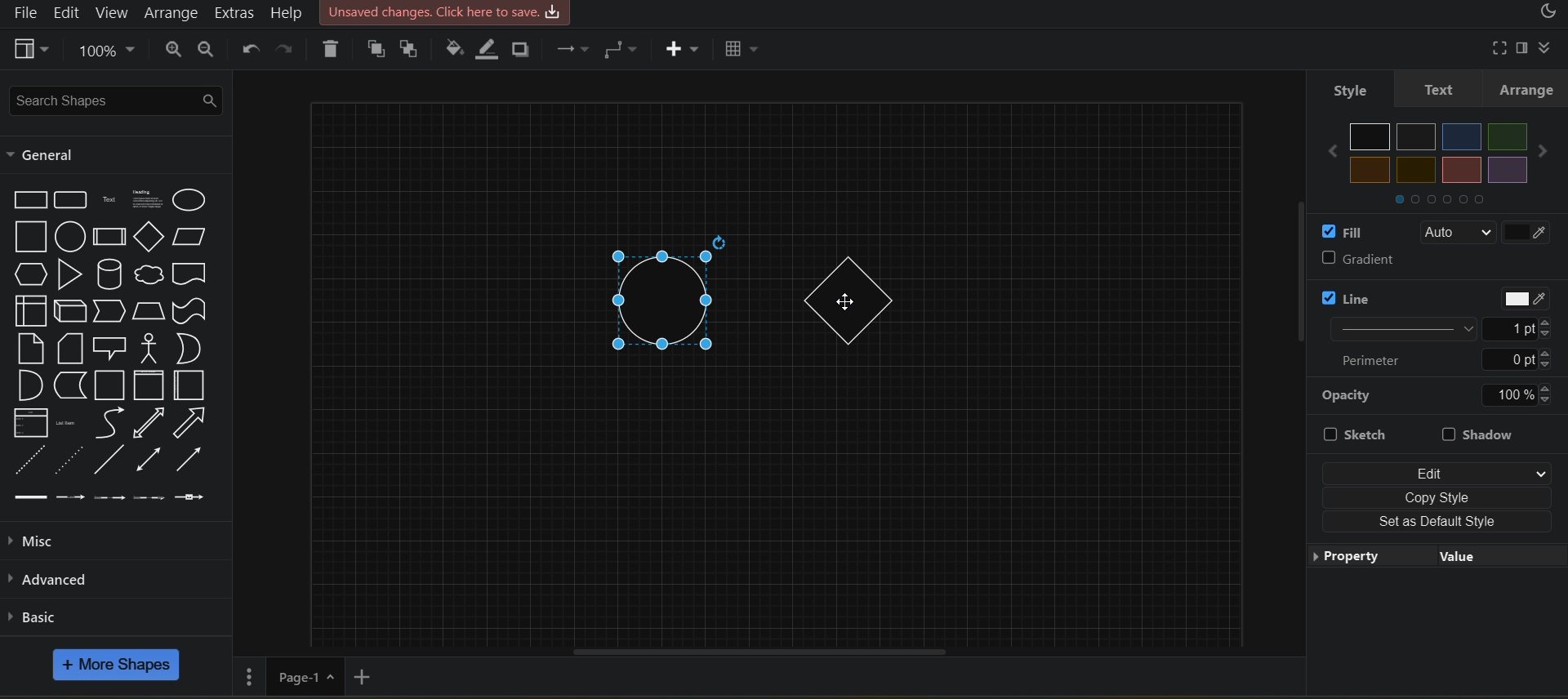 This screenshot has width=1568, height=699. What do you see at coordinates (29, 275) in the screenshot?
I see `Hexagon` at bounding box center [29, 275].